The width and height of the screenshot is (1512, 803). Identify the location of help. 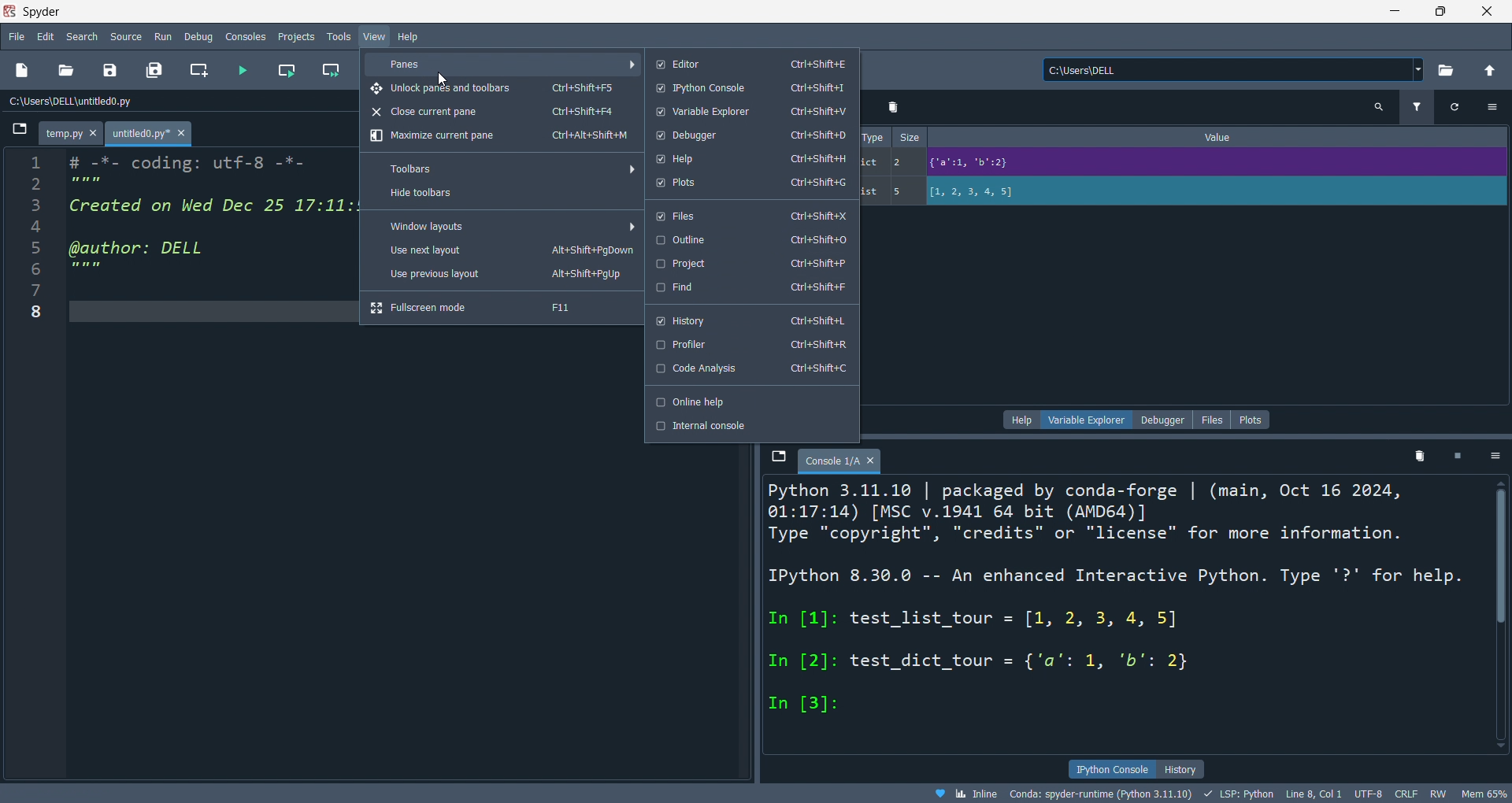
(754, 159).